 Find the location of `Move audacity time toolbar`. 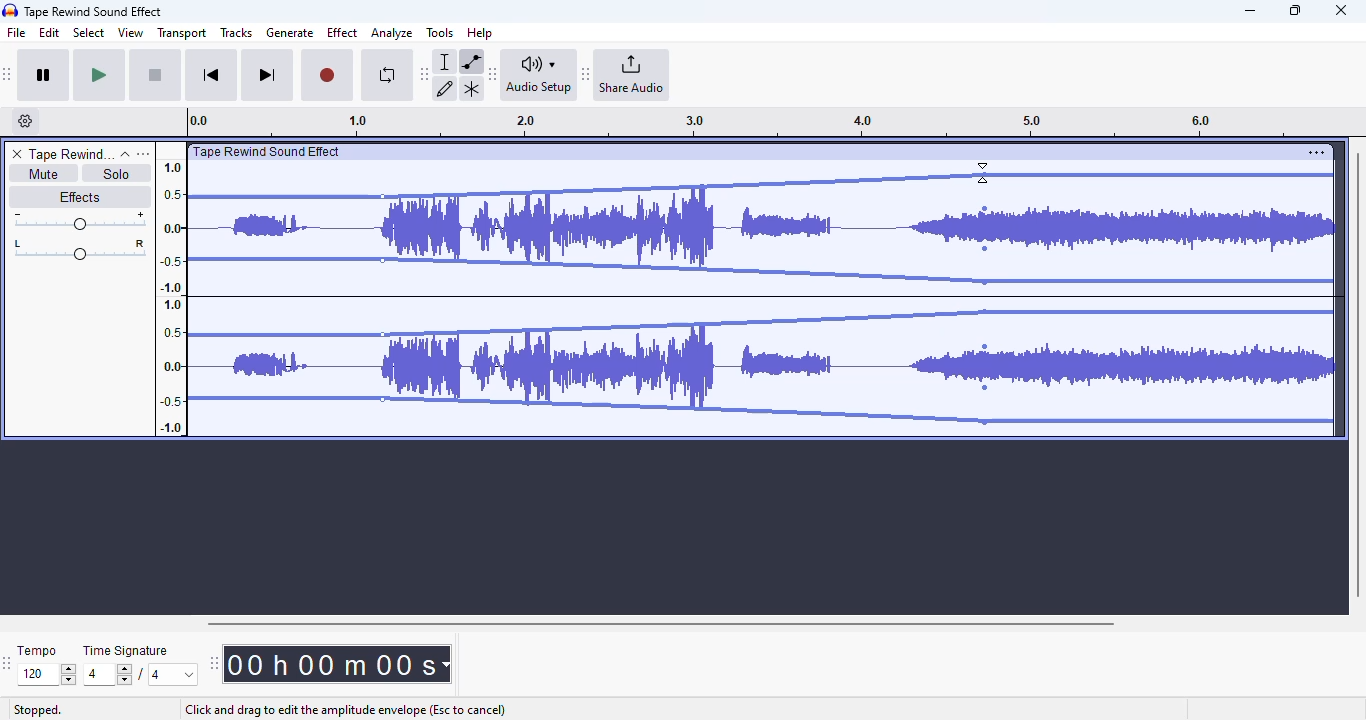

Move audacity time toolbar is located at coordinates (213, 663).